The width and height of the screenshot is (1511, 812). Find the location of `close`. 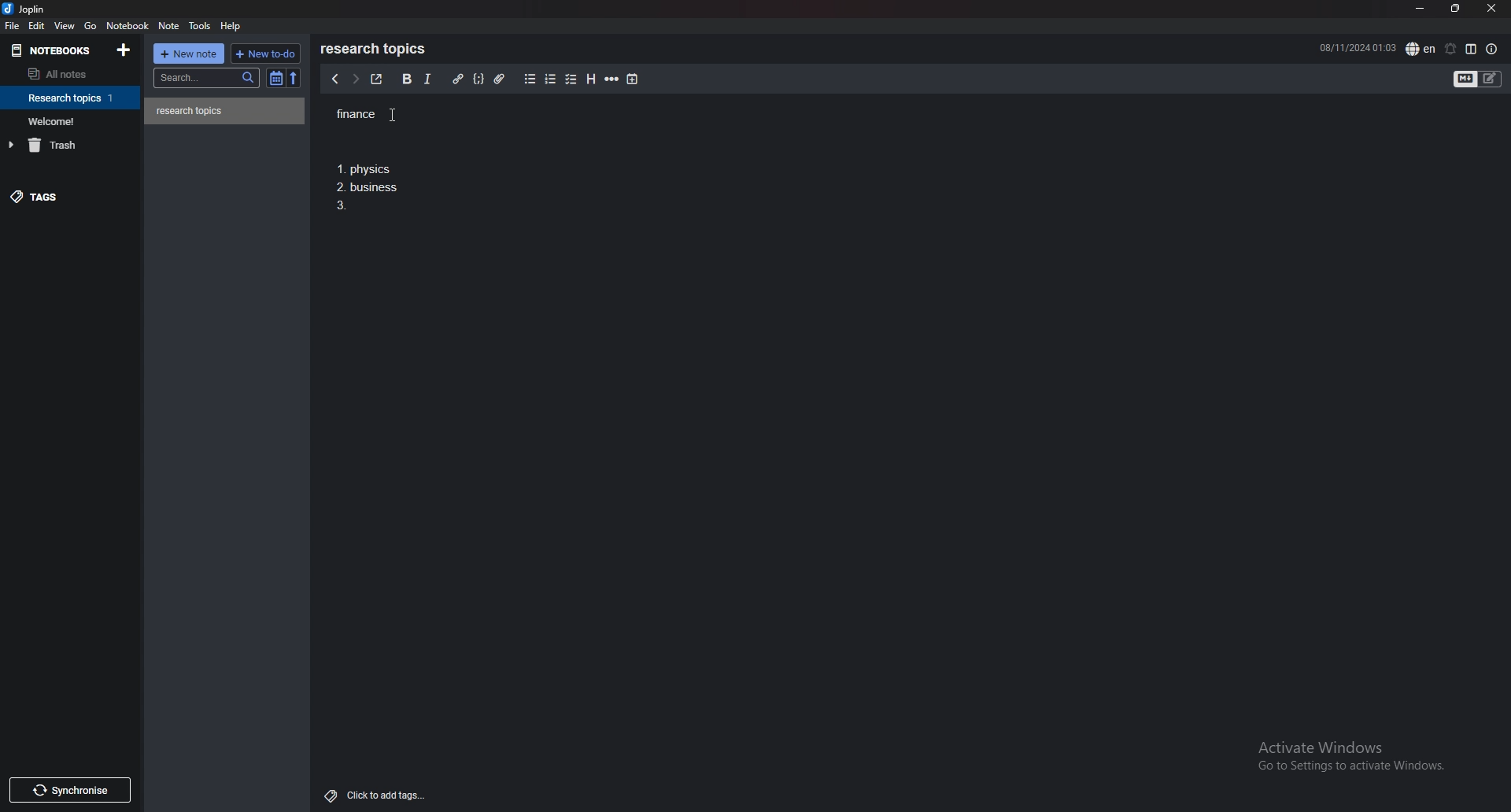

close is located at coordinates (1491, 9).